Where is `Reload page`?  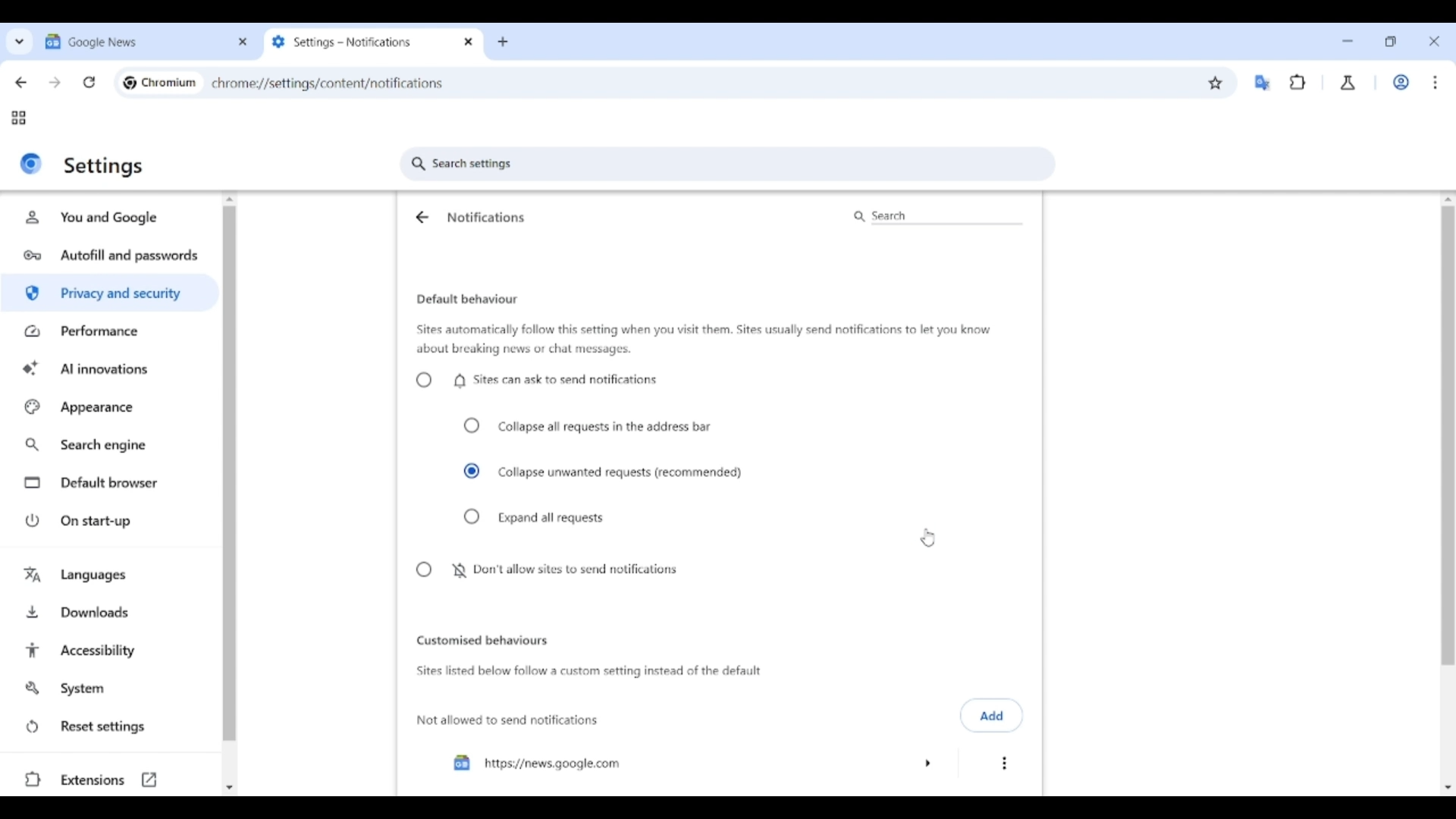
Reload page is located at coordinates (89, 82).